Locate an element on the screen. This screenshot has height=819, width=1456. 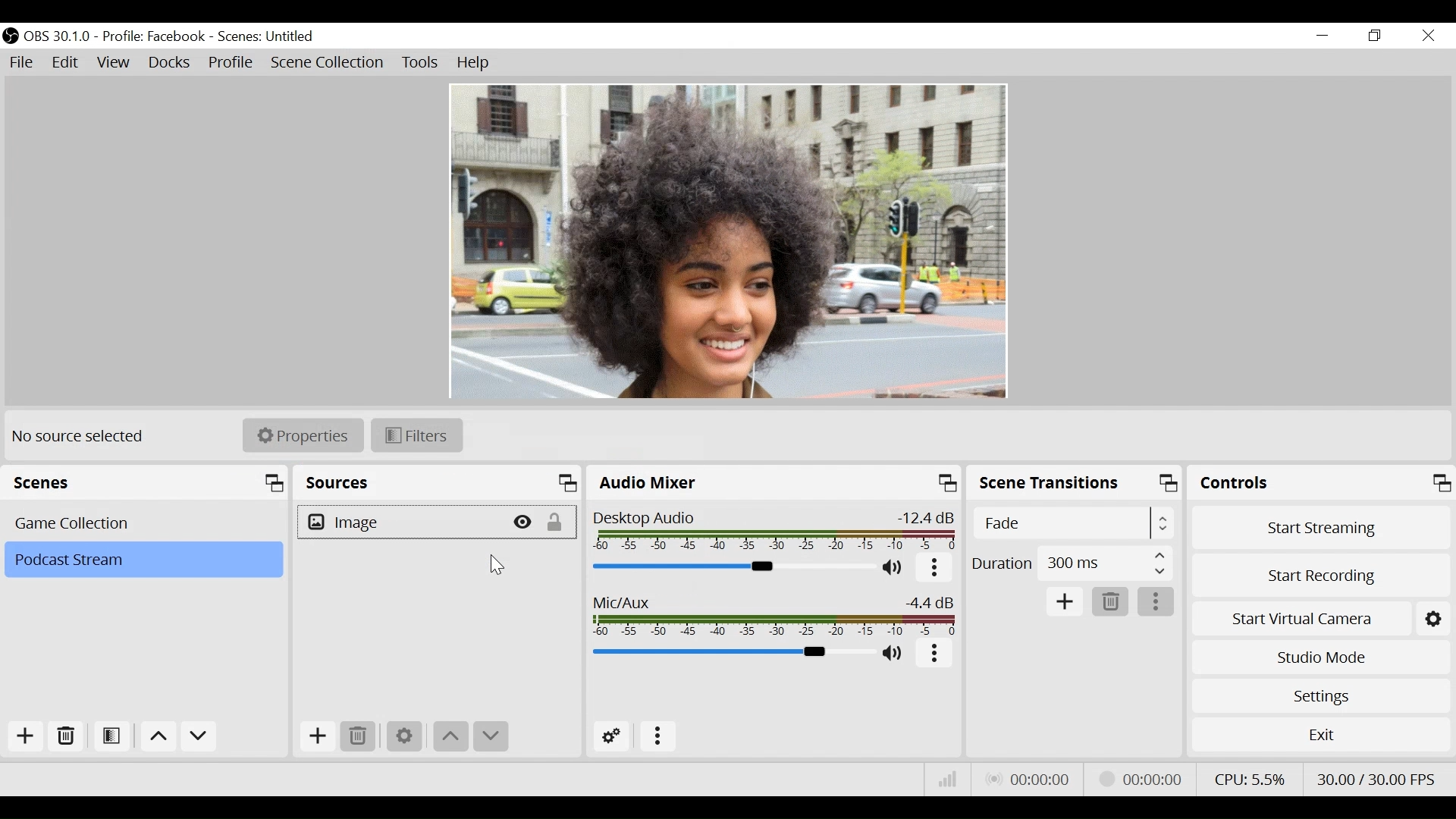
Preview is located at coordinates (732, 240).